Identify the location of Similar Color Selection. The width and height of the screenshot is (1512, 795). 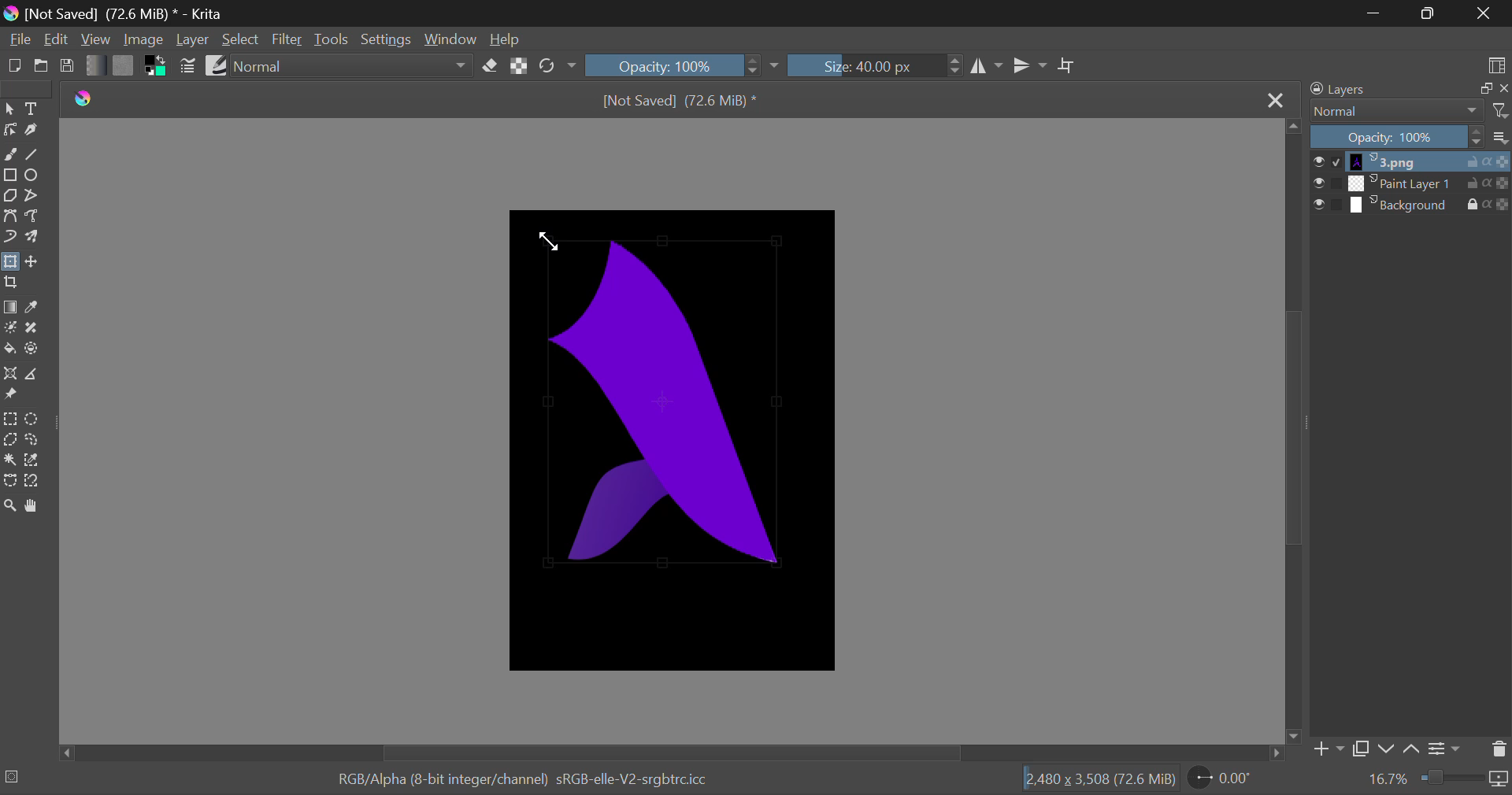
(32, 460).